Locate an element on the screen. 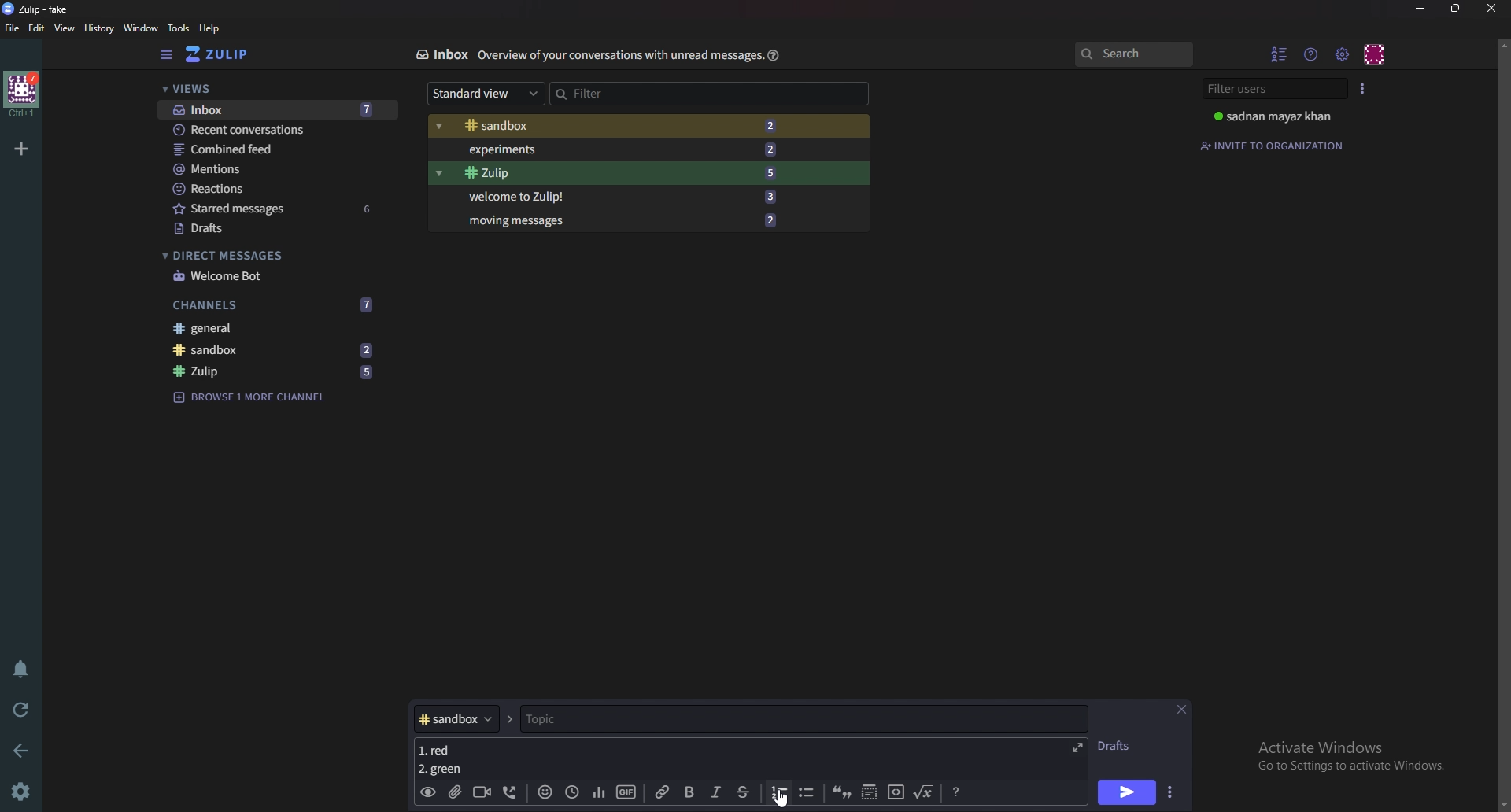 The height and width of the screenshot is (812, 1511). Drafts is located at coordinates (1120, 746).